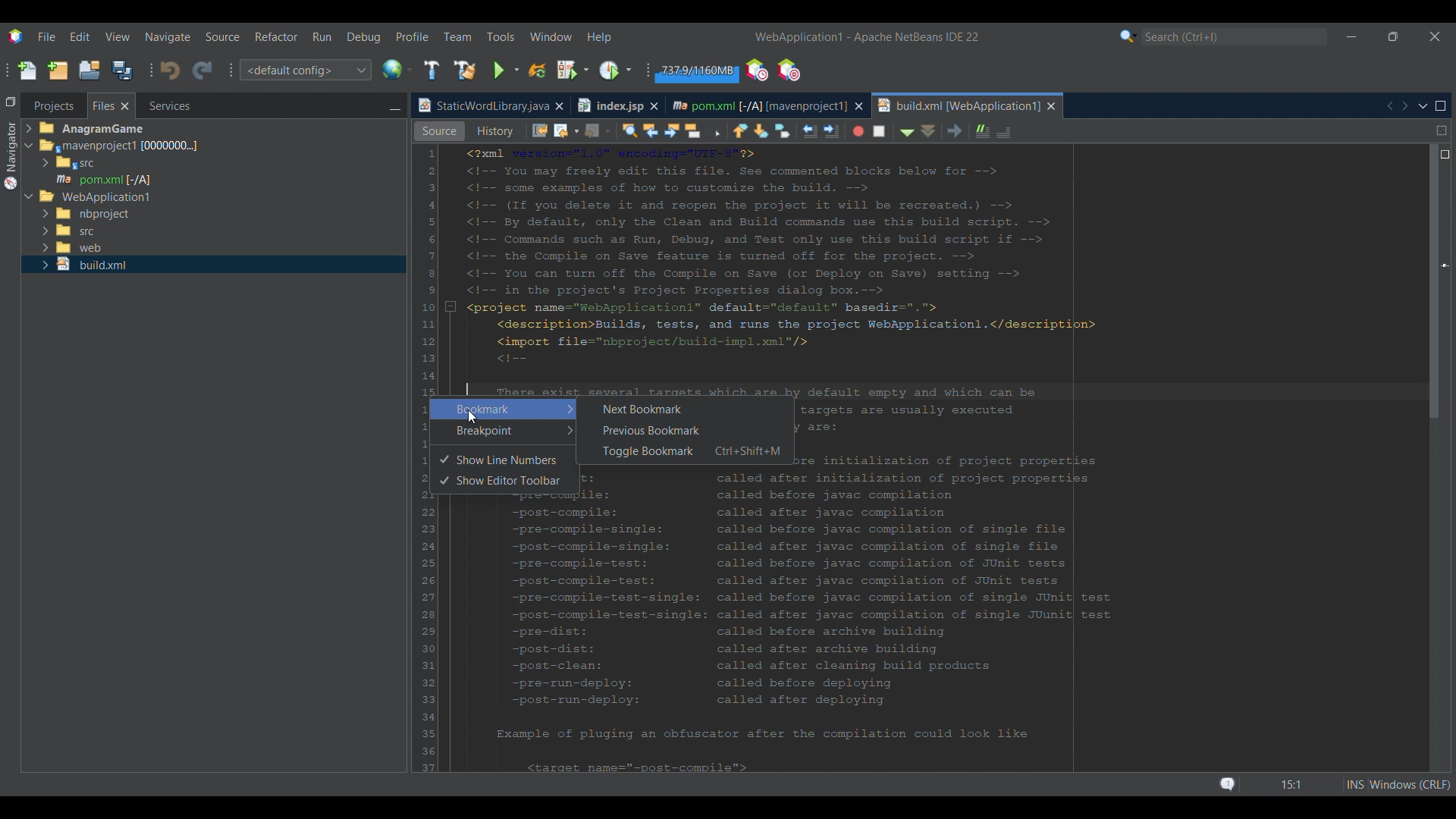 This screenshot has height=819, width=1456. What do you see at coordinates (281, 145) in the screenshot?
I see `Selected tab highlighted` at bounding box center [281, 145].